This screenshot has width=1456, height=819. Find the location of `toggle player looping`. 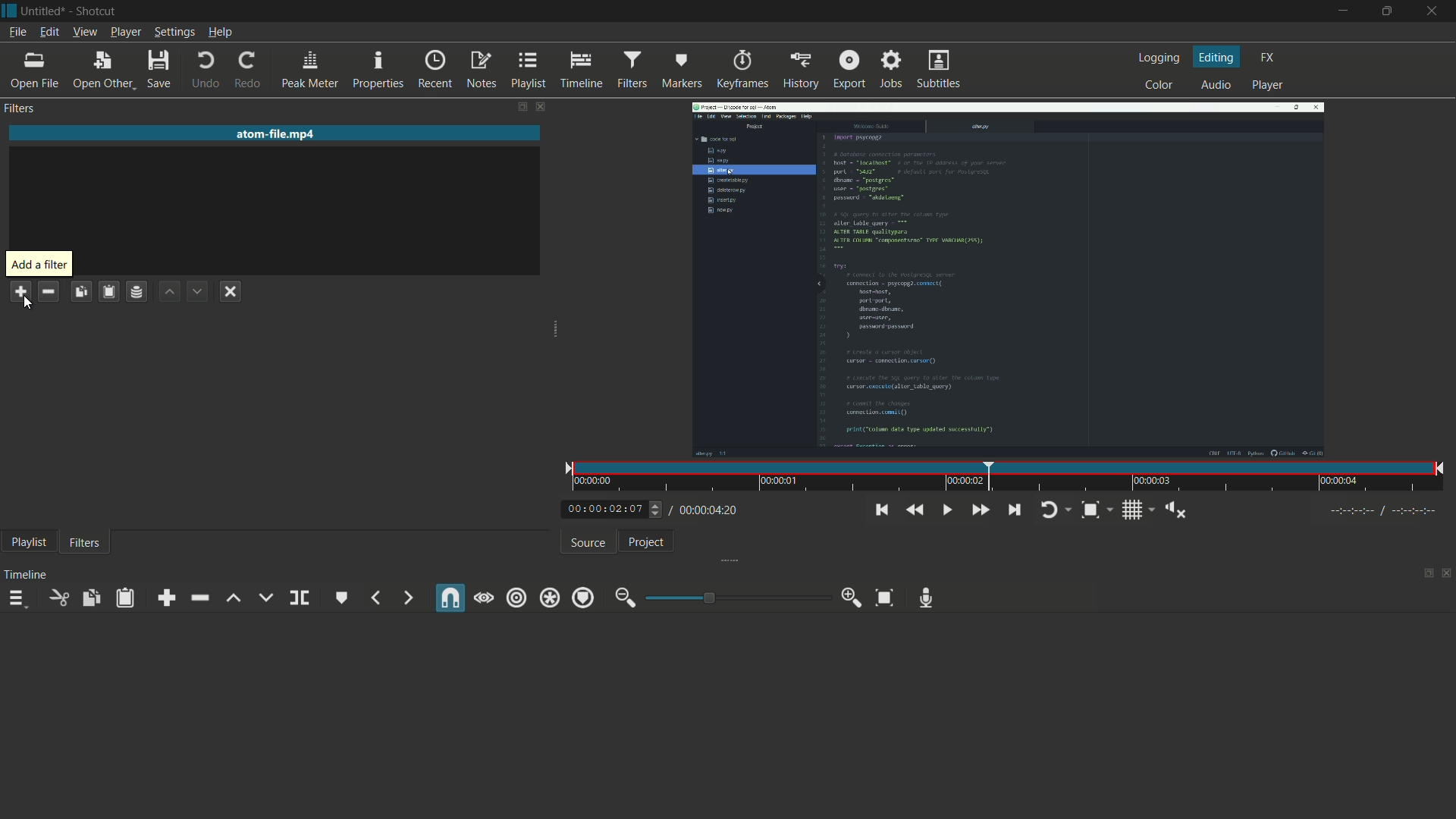

toggle player looping is located at coordinates (1056, 510).